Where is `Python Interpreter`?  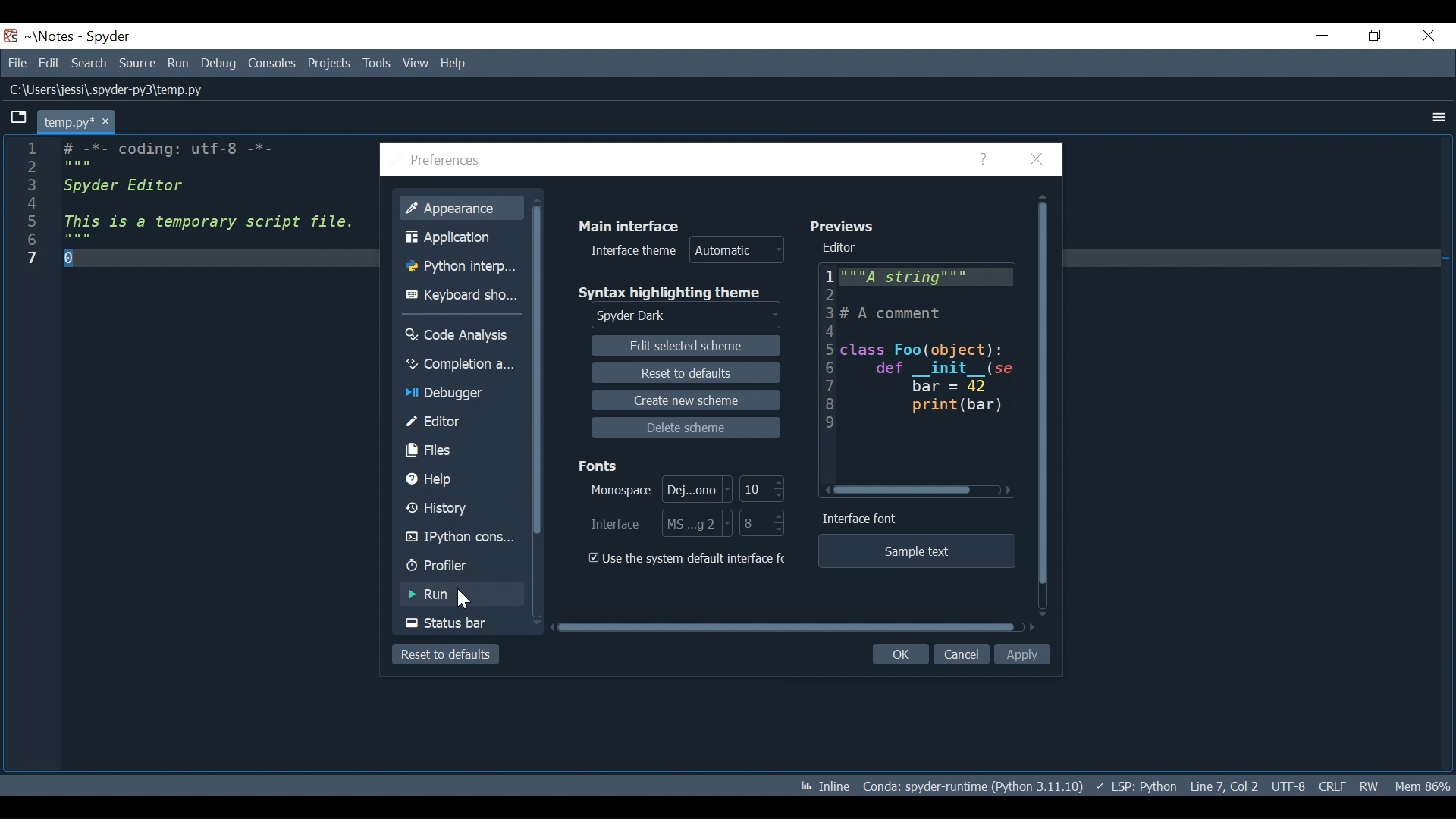
Python Interpreter is located at coordinates (458, 266).